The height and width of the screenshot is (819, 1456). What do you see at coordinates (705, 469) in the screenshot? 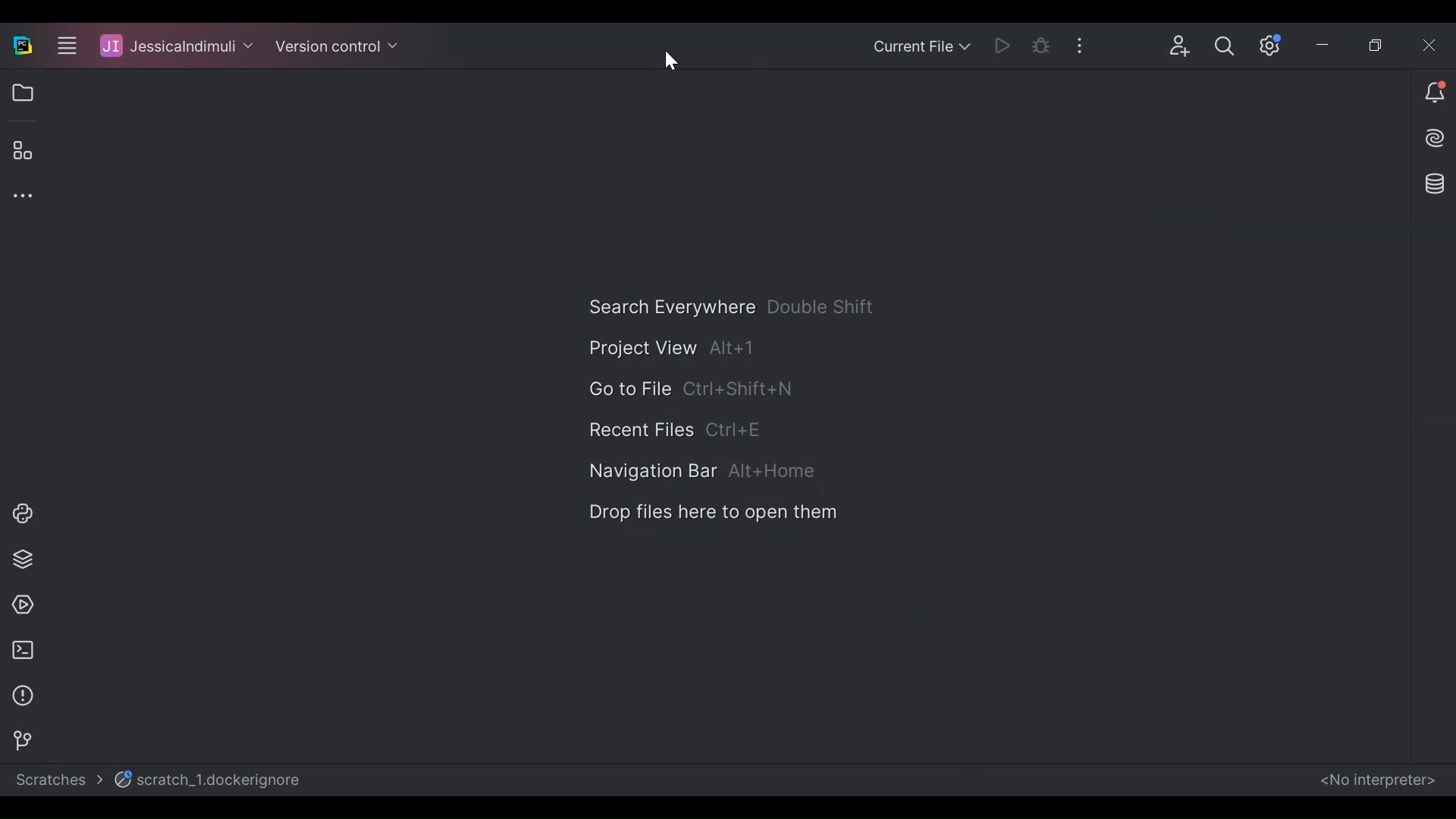
I see `Navigation Bar` at bounding box center [705, 469].